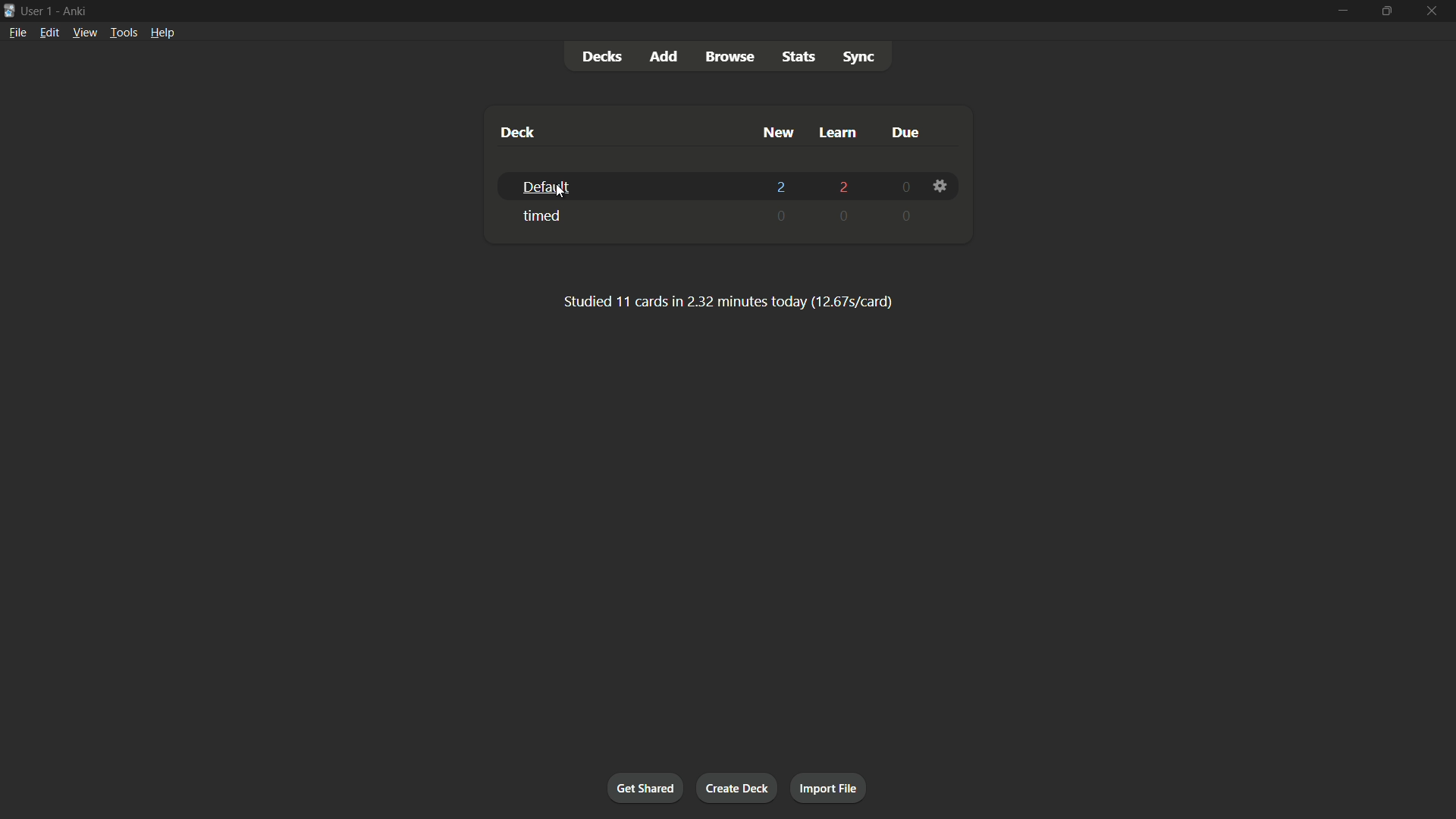  What do you see at coordinates (908, 214) in the screenshot?
I see `0` at bounding box center [908, 214].